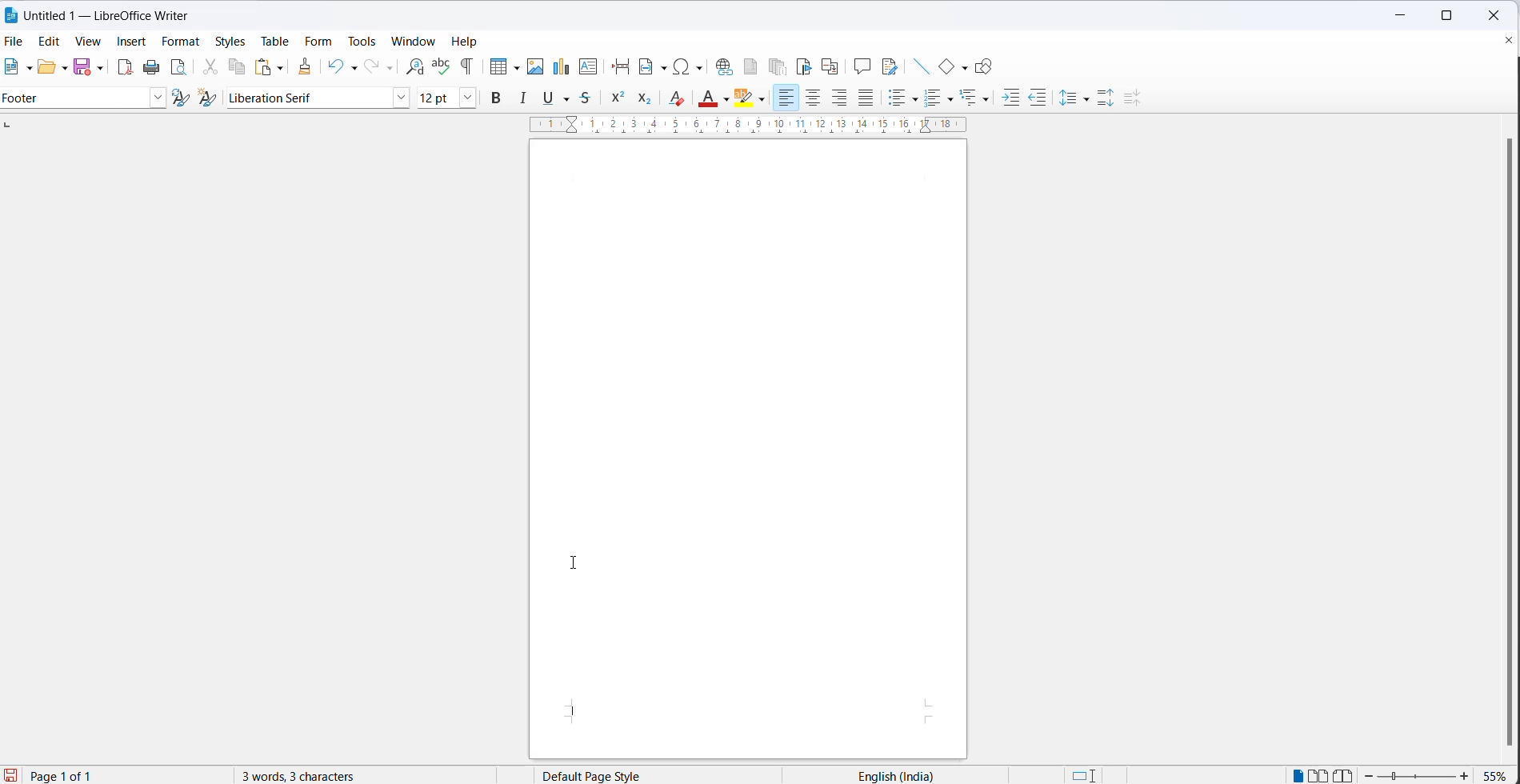 This screenshot has width=1520, height=784. I want to click on character highlighting icon, so click(746, 98).